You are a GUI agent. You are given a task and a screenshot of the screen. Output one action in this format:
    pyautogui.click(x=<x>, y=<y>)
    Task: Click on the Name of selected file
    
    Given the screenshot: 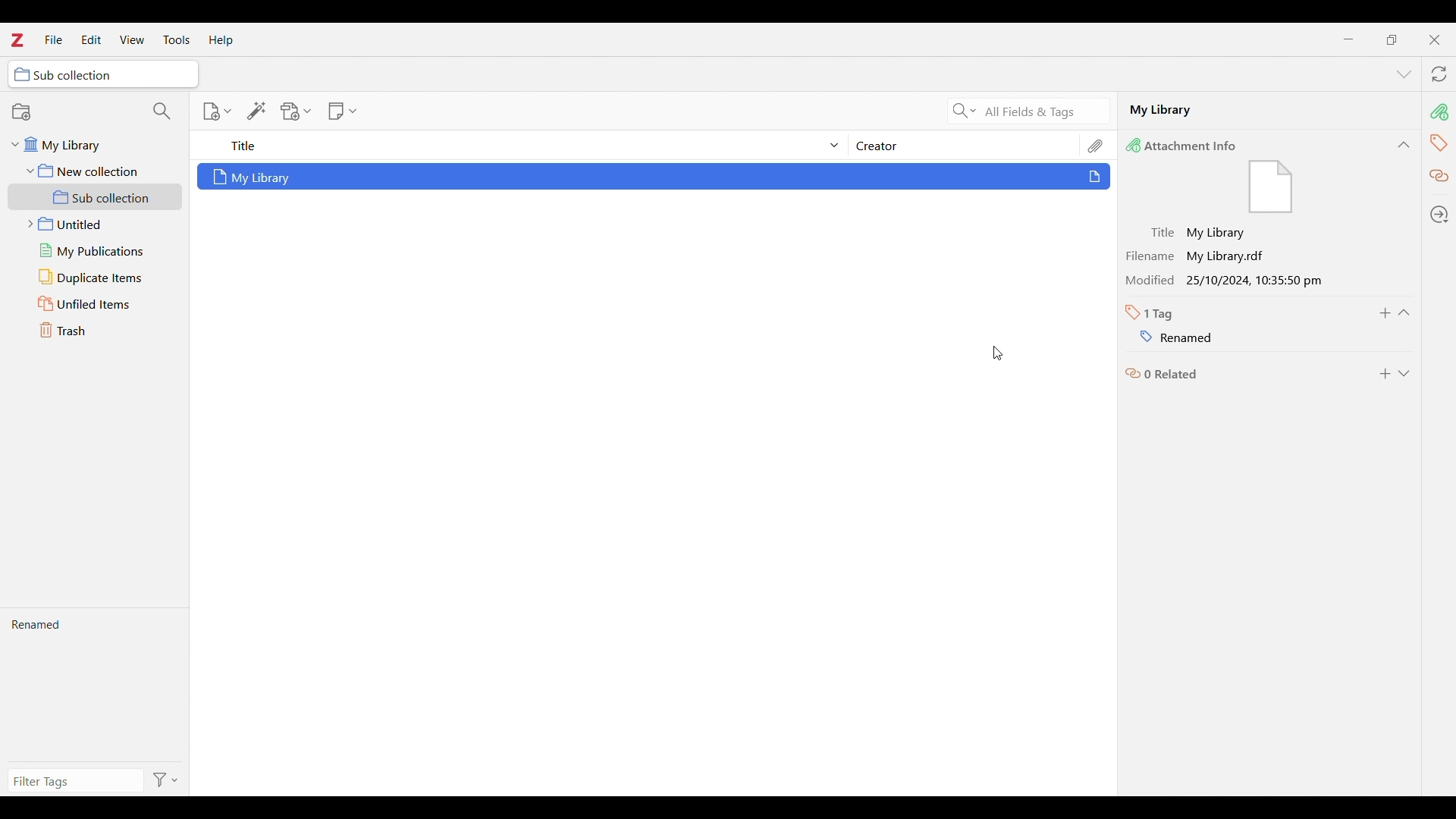 What is the action you would take?
    pyautogui.click(x=1251, y=109)
    